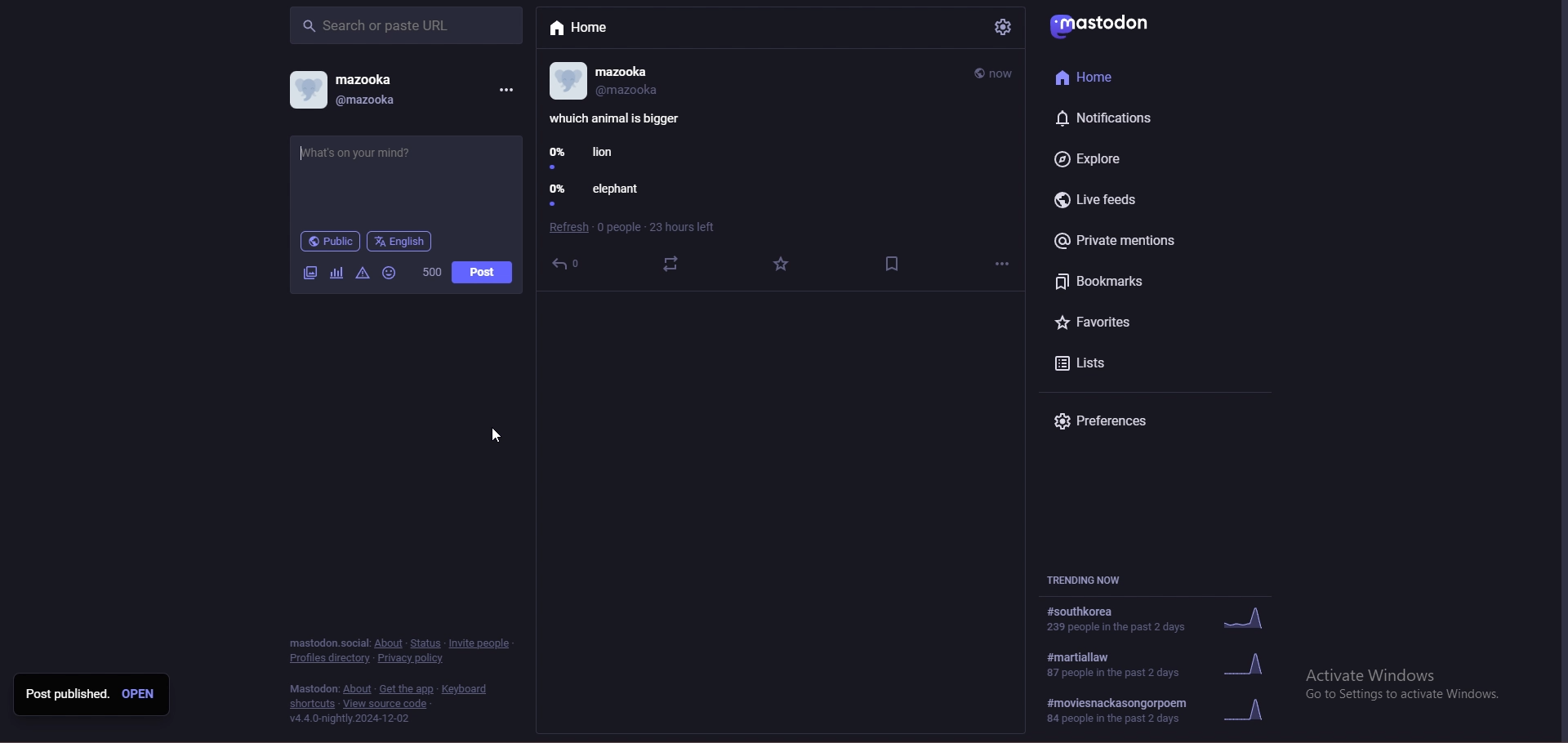  I want to click on reply, so click(571, 265).